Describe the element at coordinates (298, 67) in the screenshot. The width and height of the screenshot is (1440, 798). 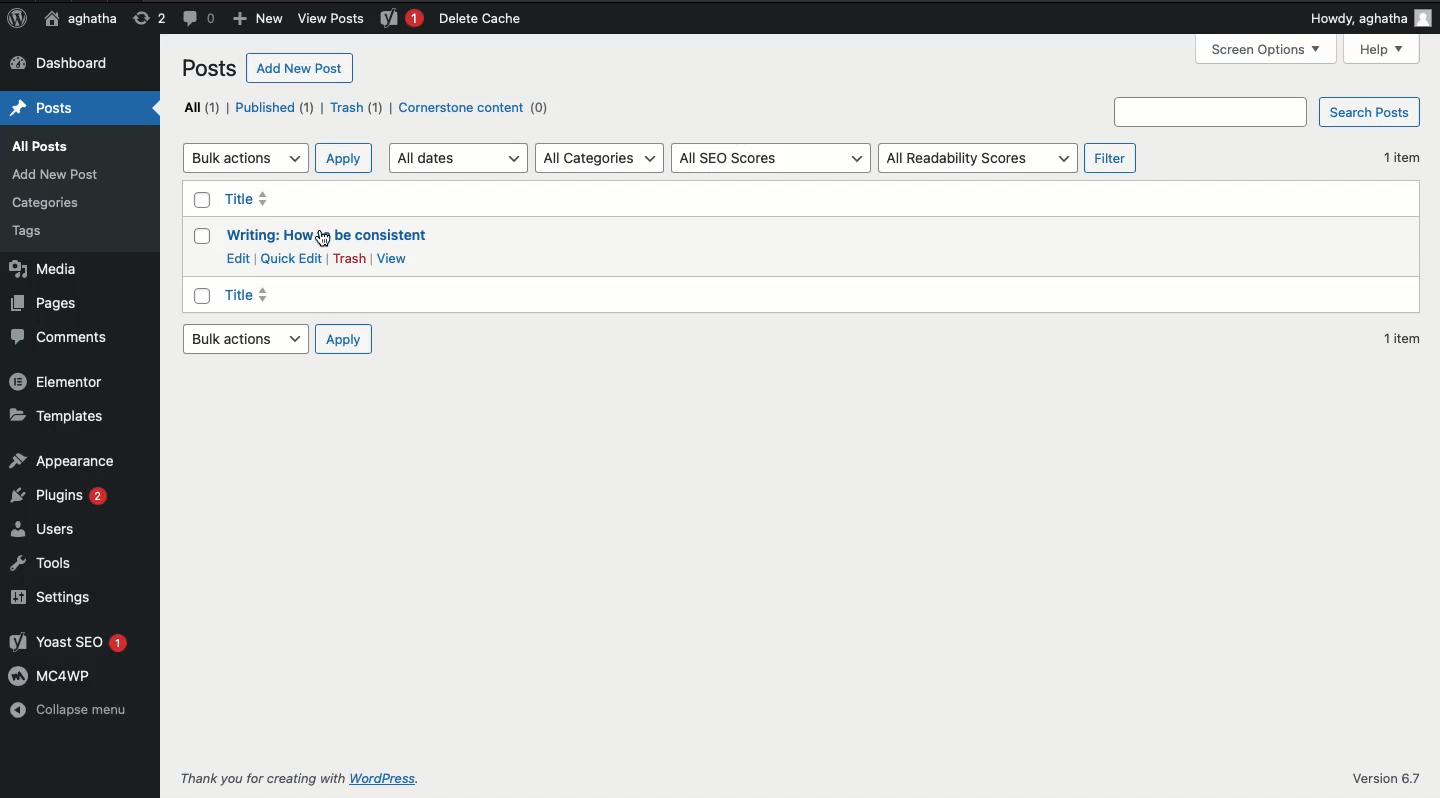
I see `Add new post` at that location.